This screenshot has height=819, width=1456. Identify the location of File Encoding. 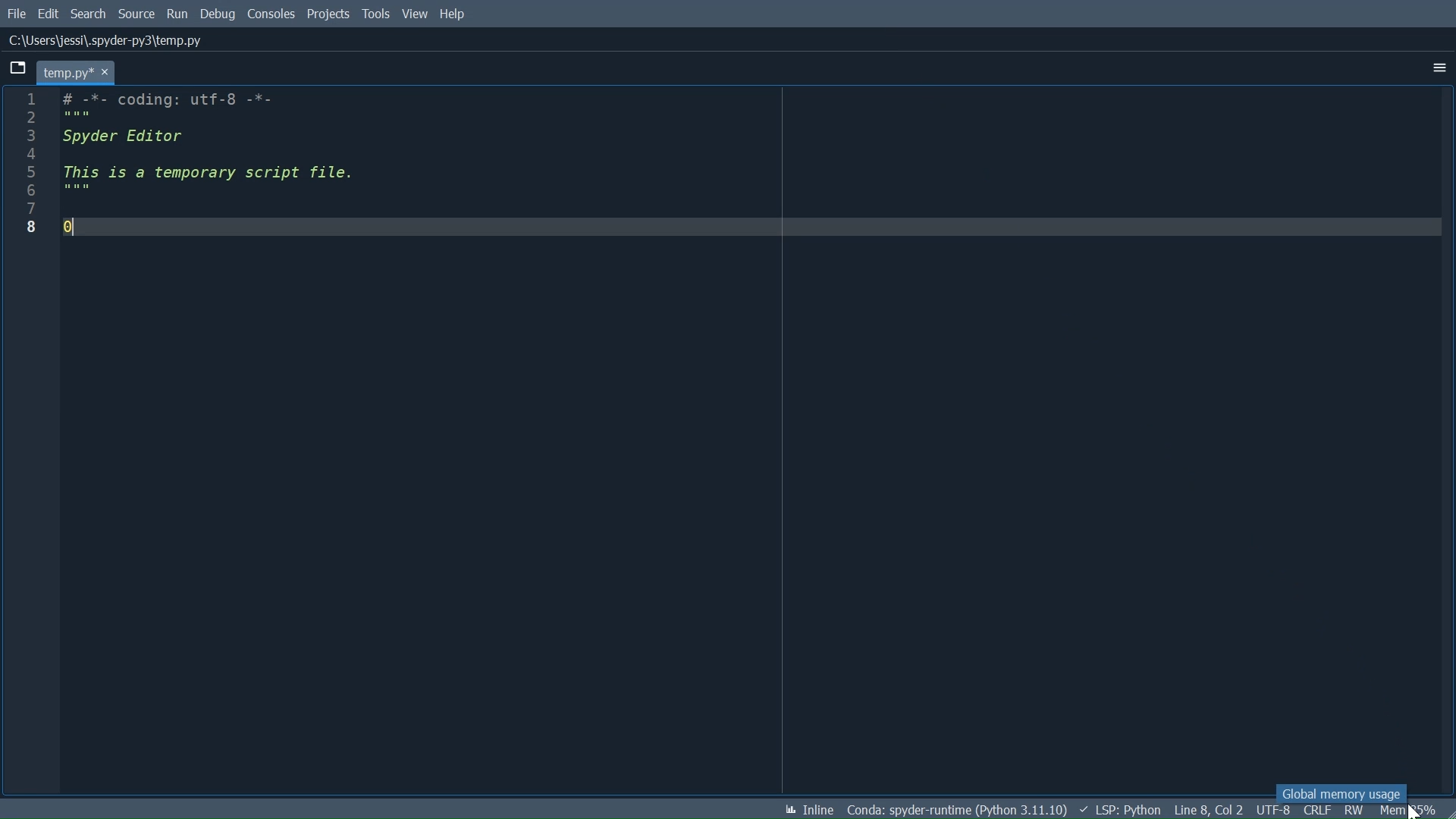
(1273, 811).